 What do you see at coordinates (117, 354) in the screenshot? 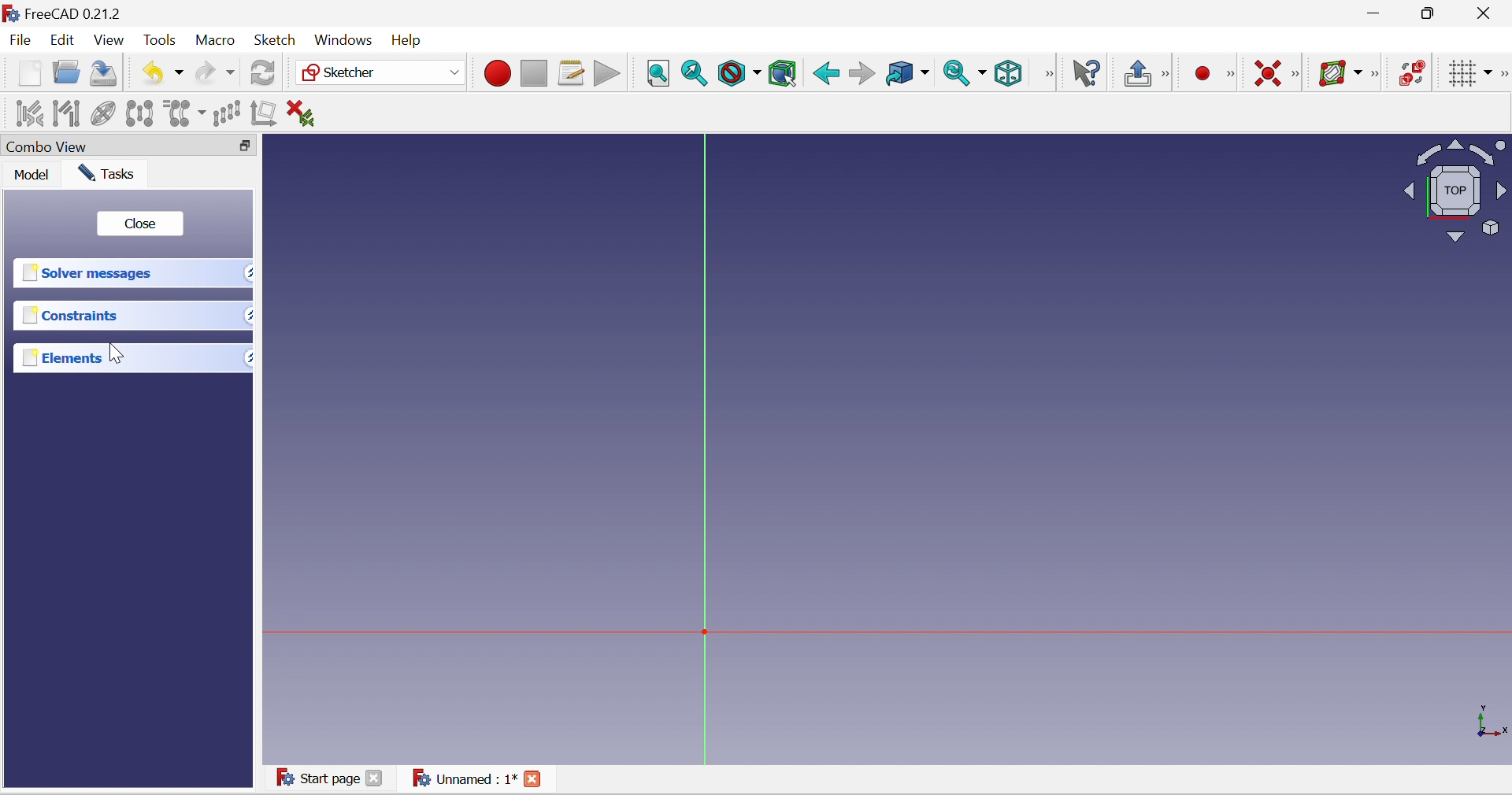
I see `Cursor` at bounding box center [117, 354].